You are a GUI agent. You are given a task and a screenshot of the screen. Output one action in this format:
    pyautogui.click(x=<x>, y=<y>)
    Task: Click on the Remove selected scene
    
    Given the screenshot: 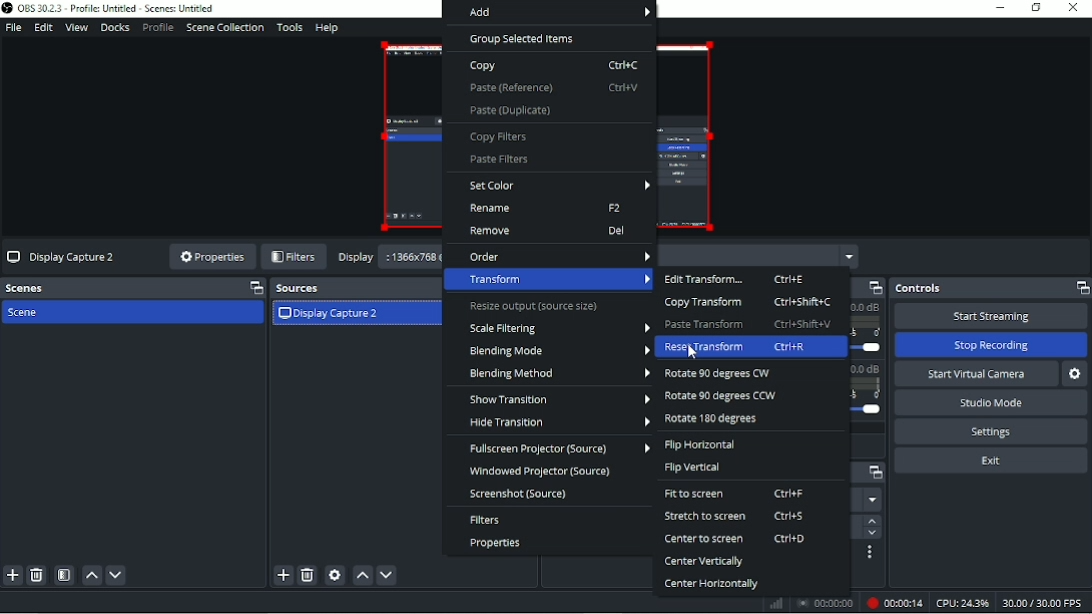 What is the action you would take?
    pyautogui.click(x=37, y=575)
    